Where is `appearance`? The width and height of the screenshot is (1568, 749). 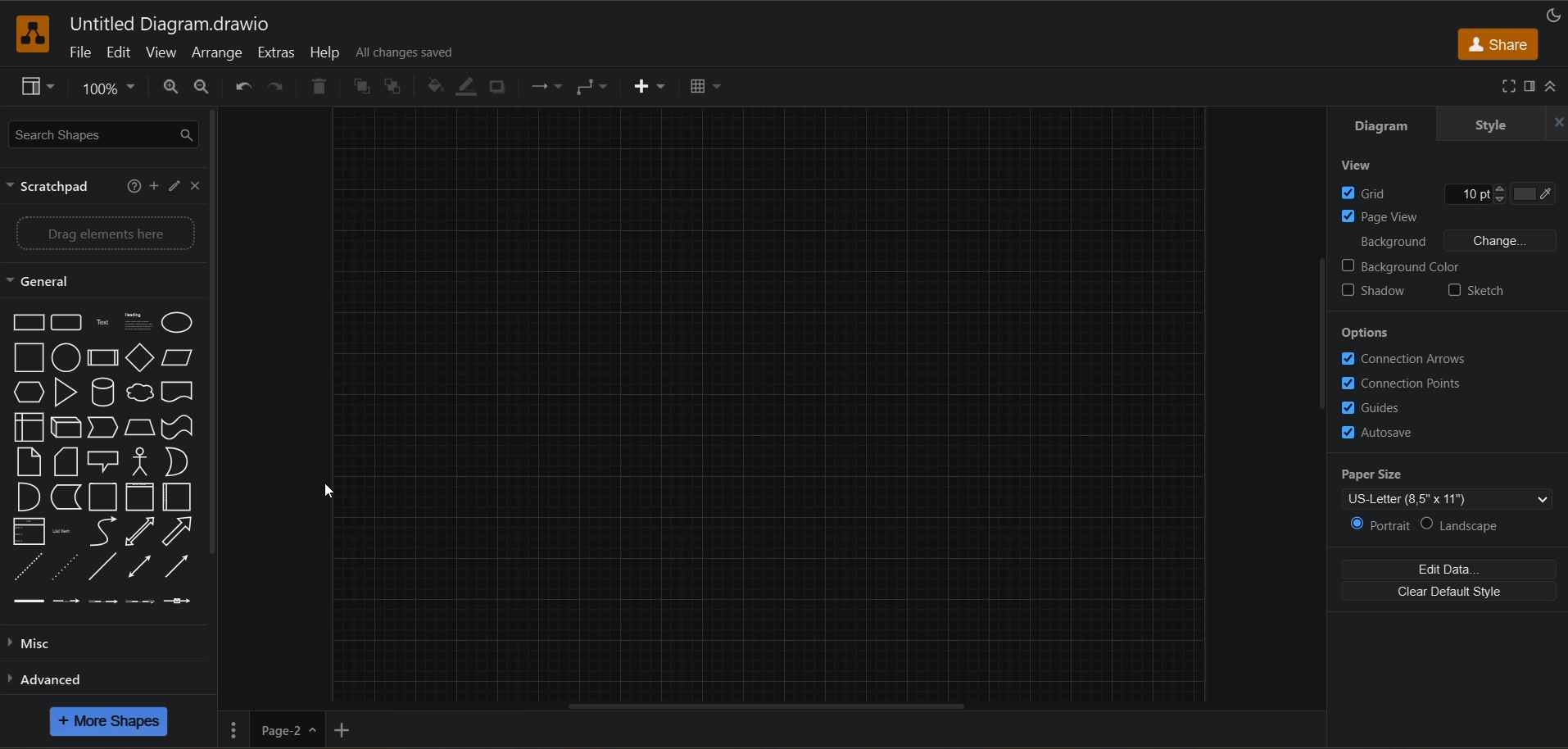
appearance is located at coordinates (1557, 15).